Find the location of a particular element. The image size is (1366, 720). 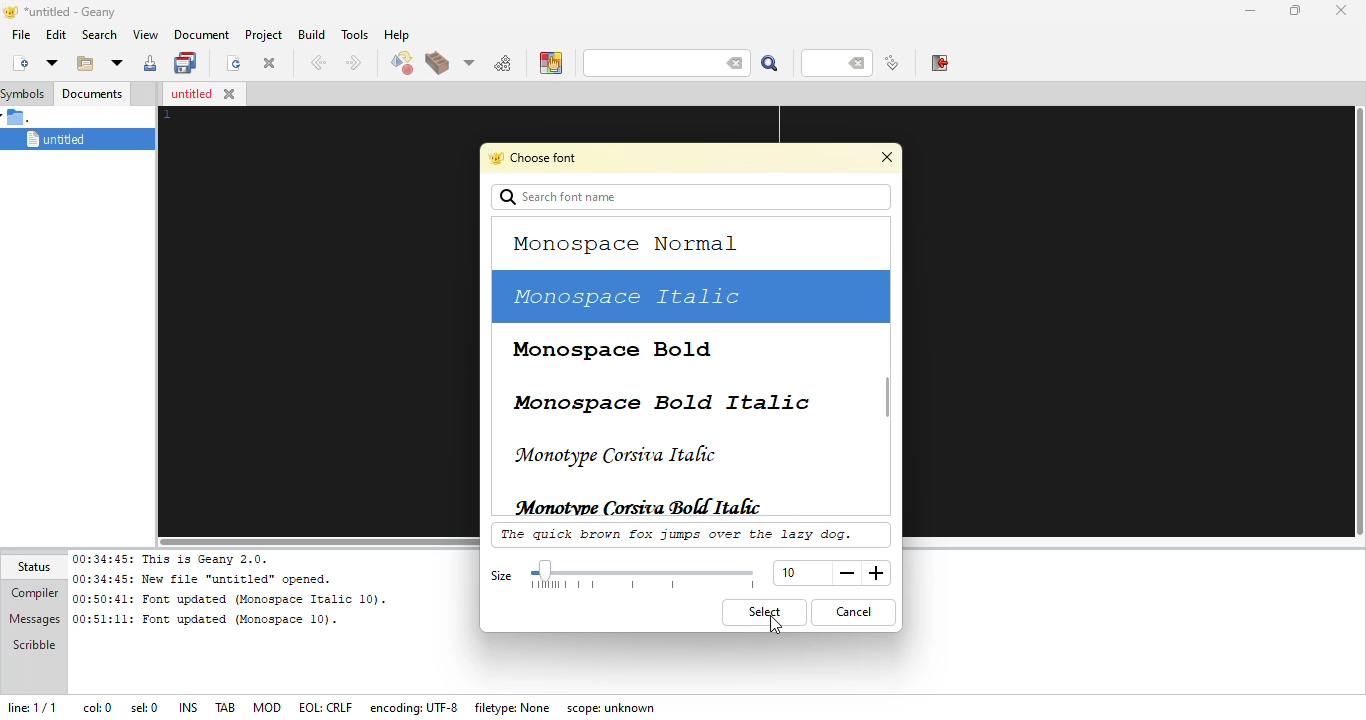

untitled is located at coordinates (189, 94).